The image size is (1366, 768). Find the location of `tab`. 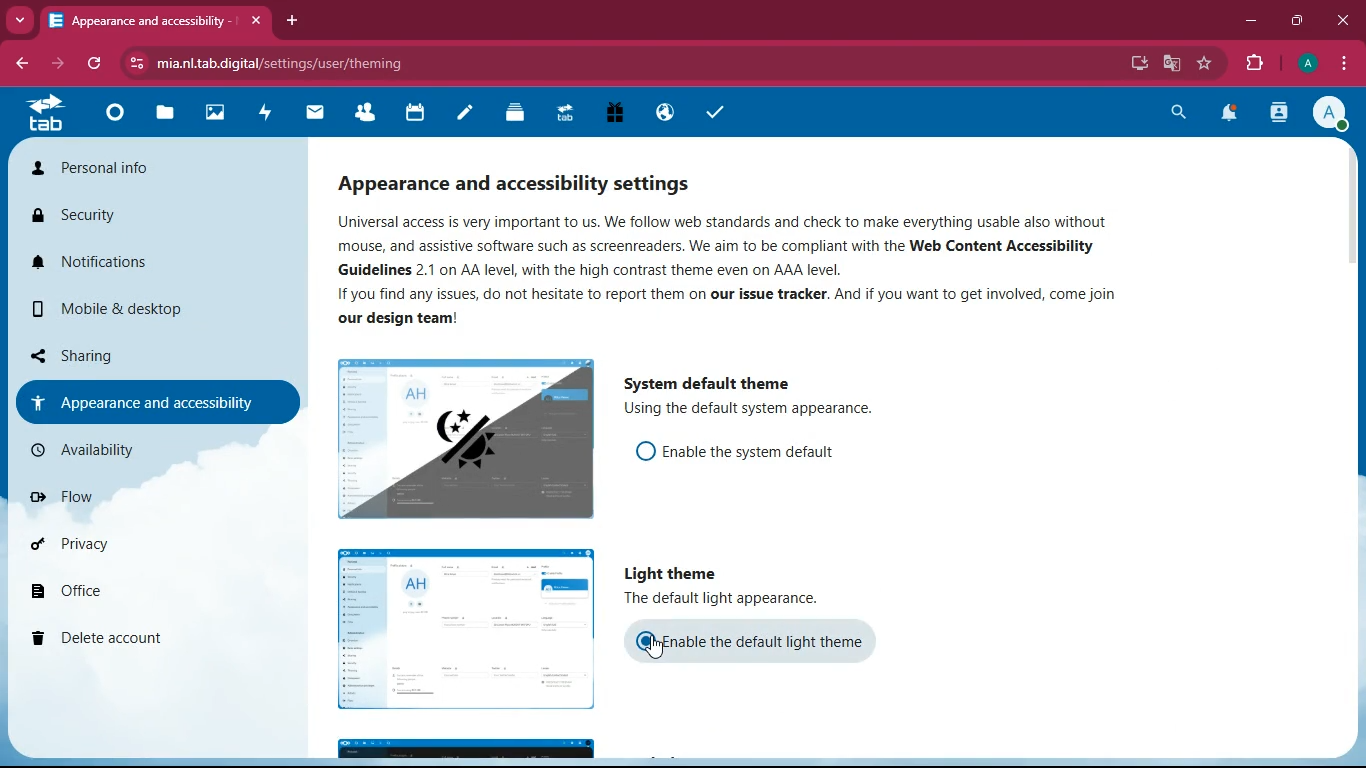

tab is located at coordinates (564, 114).